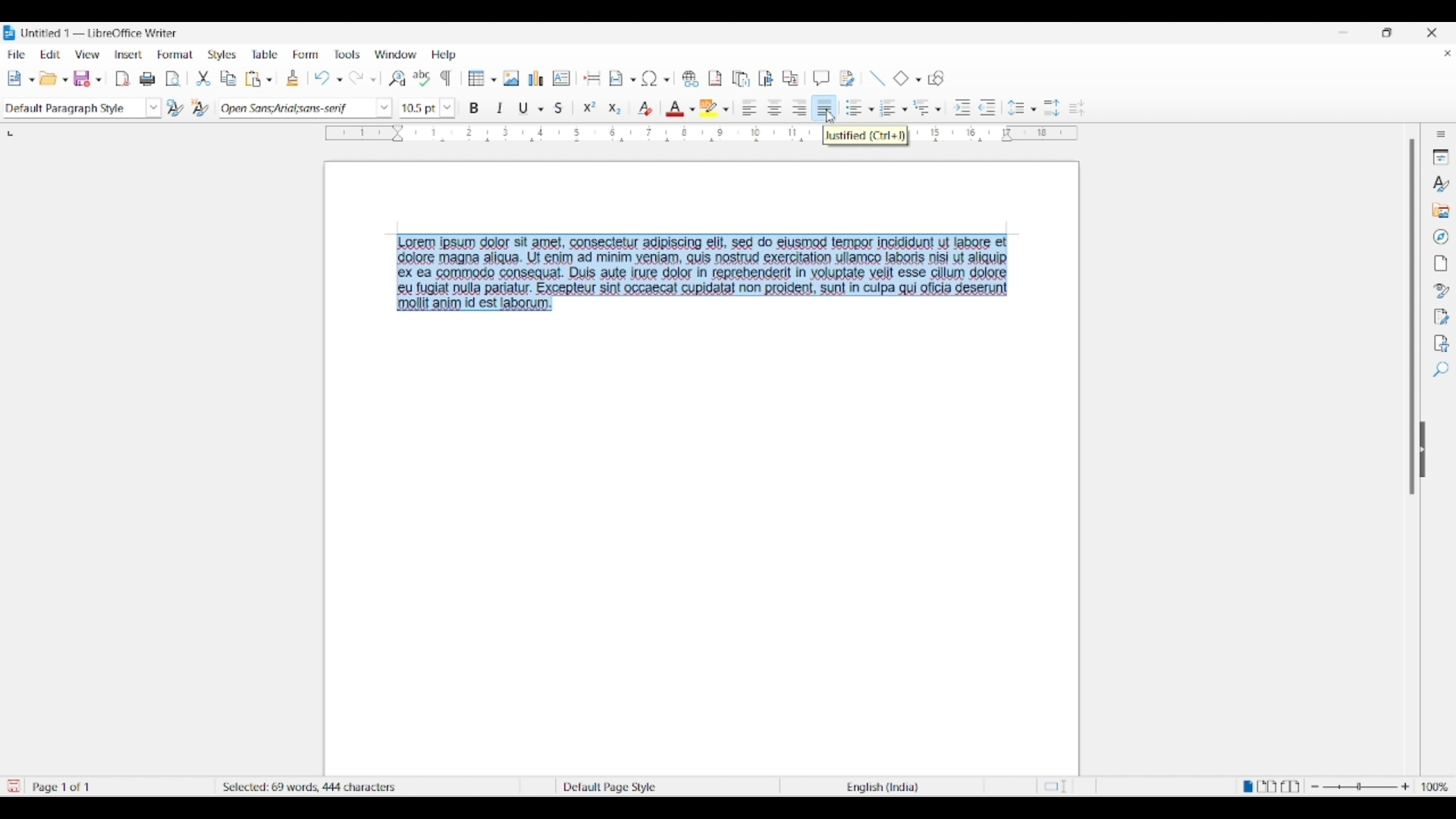 The width and height of the screenshot is (1456, 819). What do you see at coordinates (1412, 317) in the screenshot?
I see `Vertical slide bar` at bounding box center [1412, 317].